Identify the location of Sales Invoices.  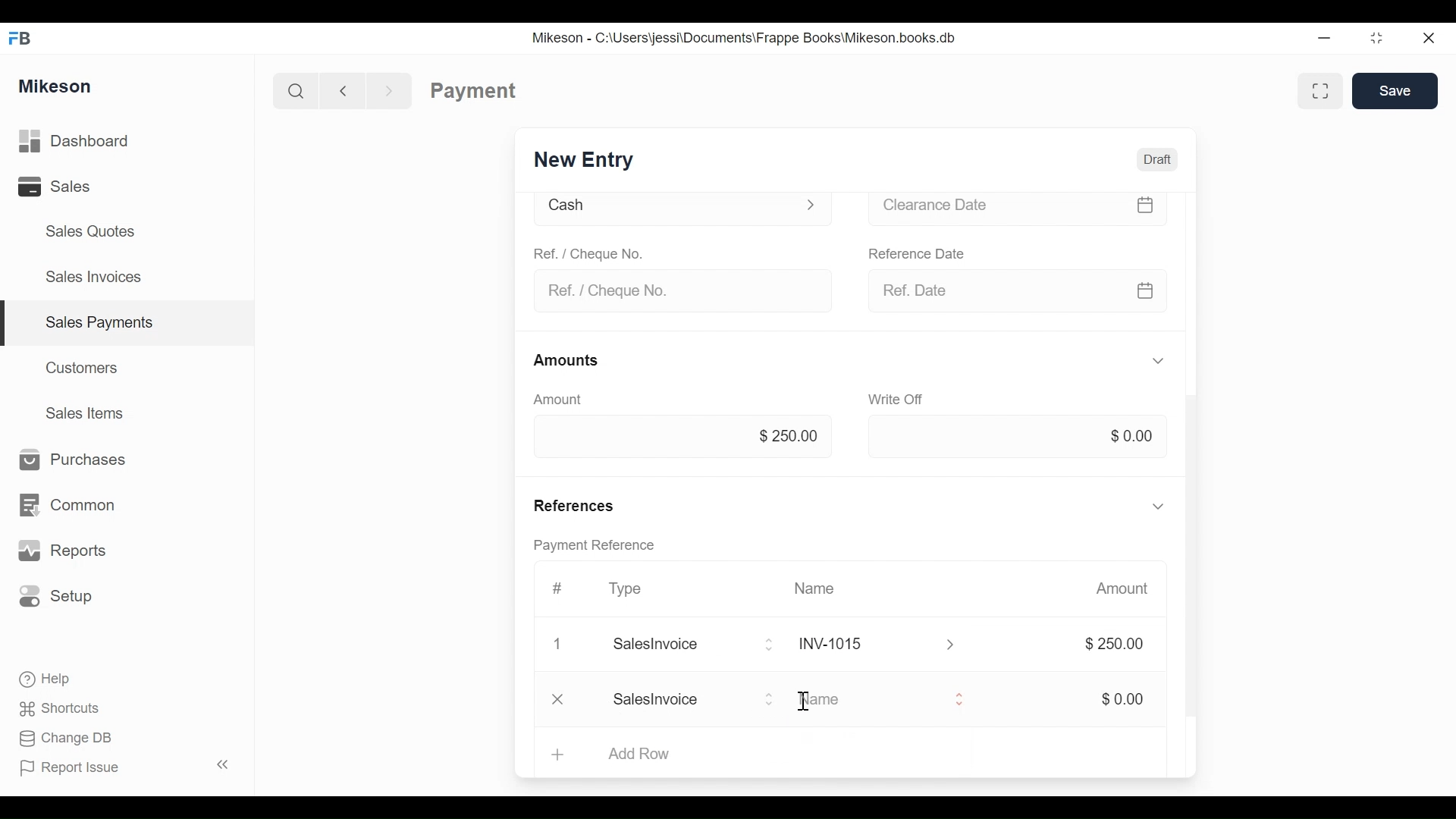
(88, 278).